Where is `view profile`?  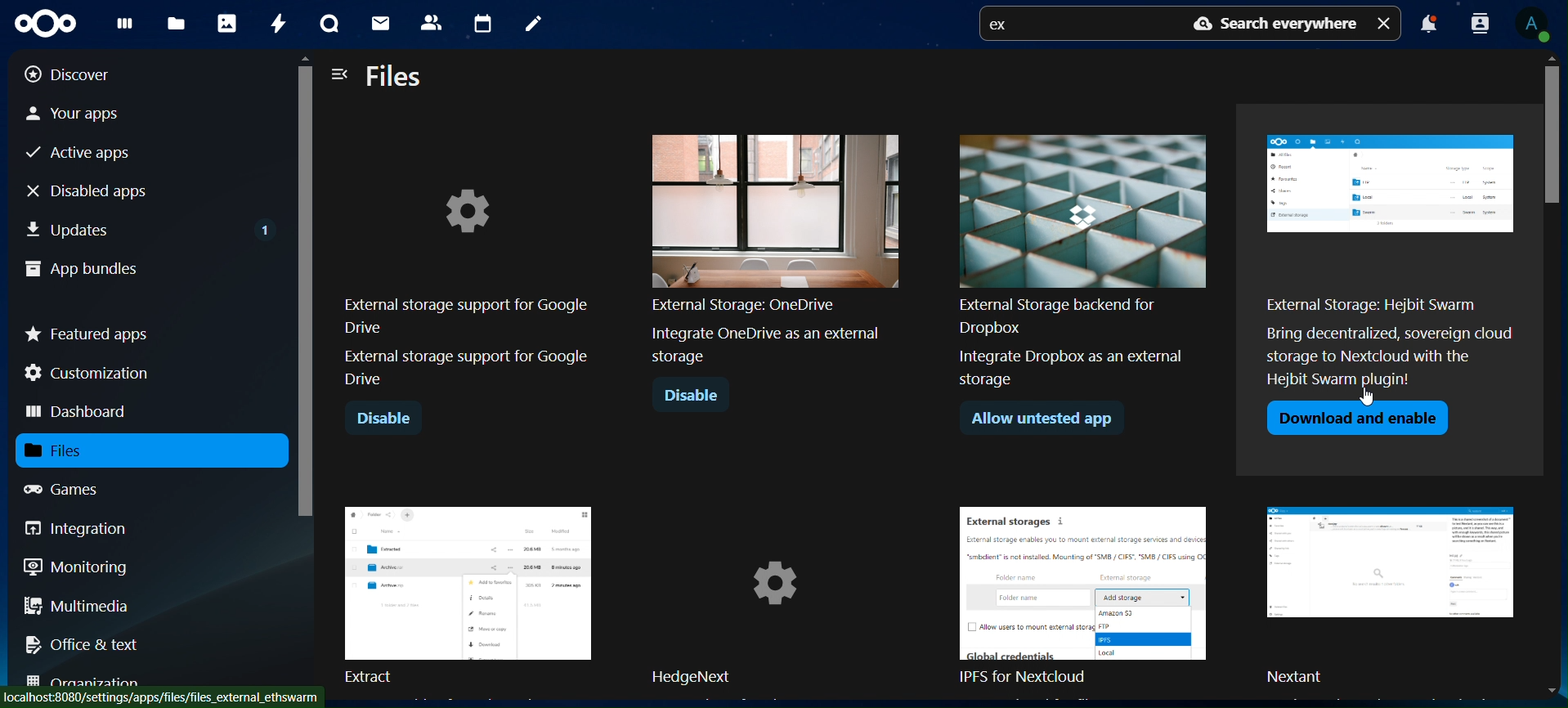 view profile is located at coordinates (1538, 25).